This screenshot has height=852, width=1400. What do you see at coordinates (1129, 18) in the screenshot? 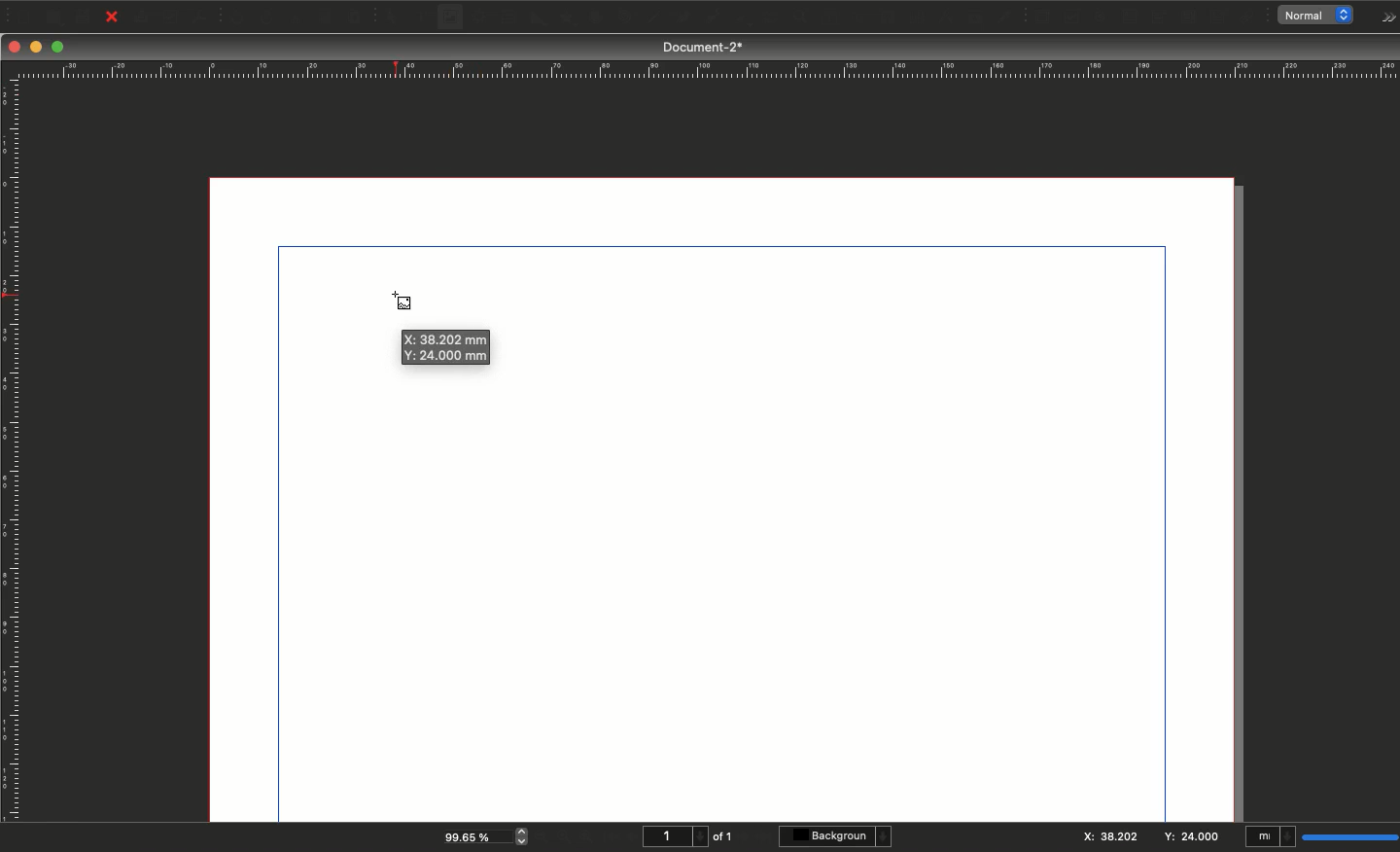
I see `PDF text field` at bounding box center [1129, 18].